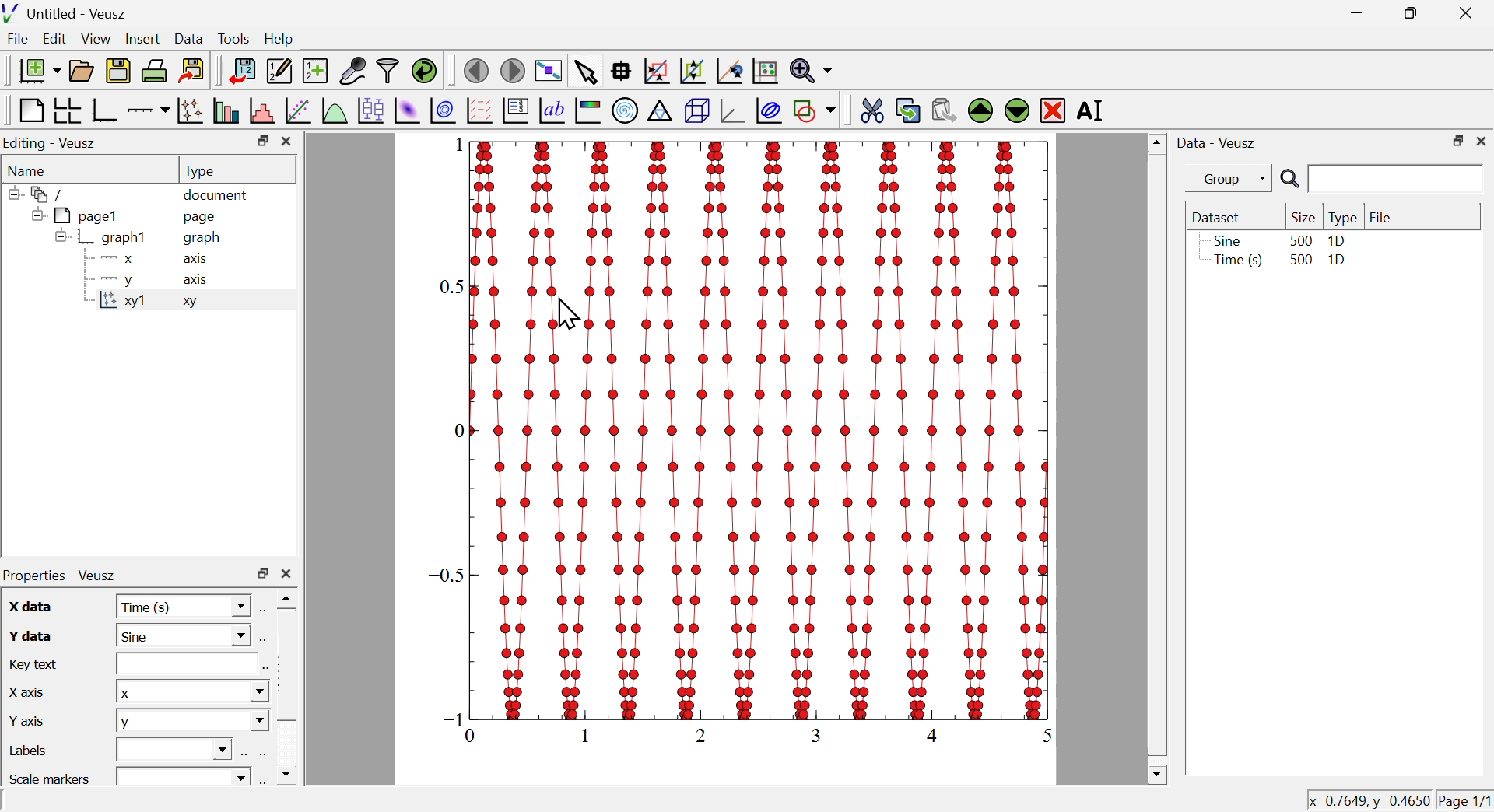 The width and height of the screenshot is (1494, 812). Describe the element at coordinates (202, 170) in the screenshot. I see `type` at that location.